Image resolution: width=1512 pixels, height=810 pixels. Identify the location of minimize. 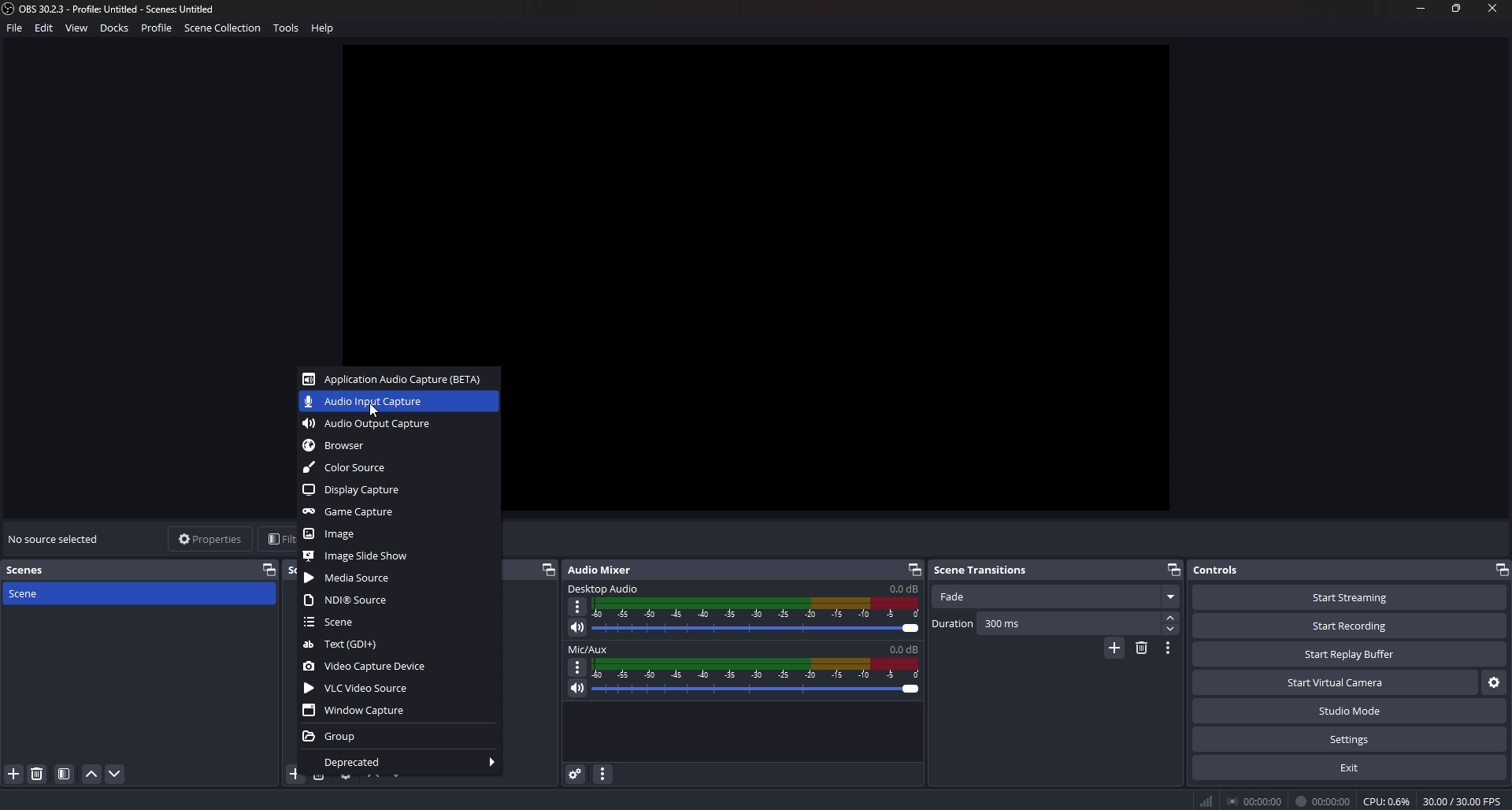
(1421, 9).